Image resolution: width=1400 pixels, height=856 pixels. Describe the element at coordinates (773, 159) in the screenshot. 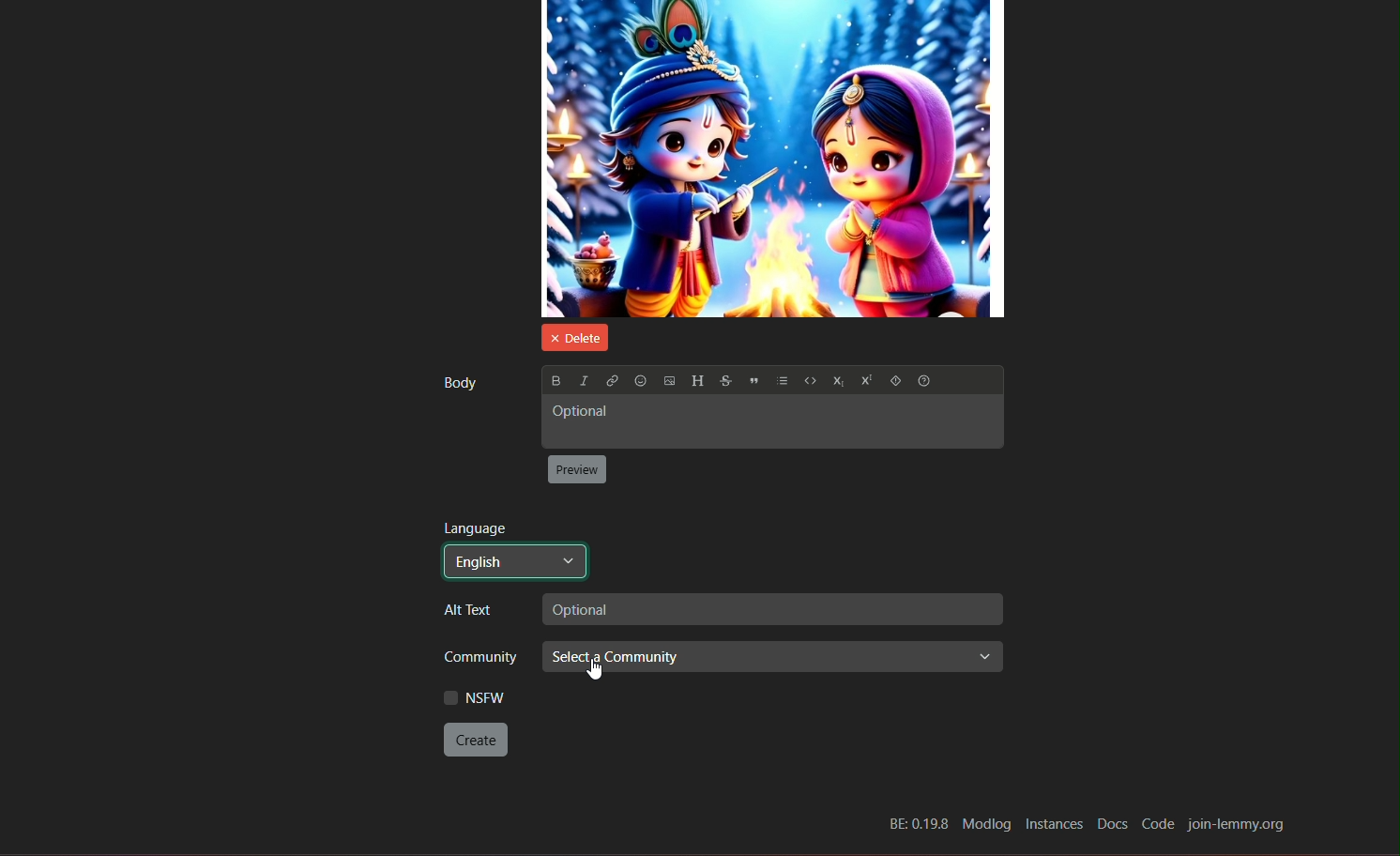

I see `image` at that location.